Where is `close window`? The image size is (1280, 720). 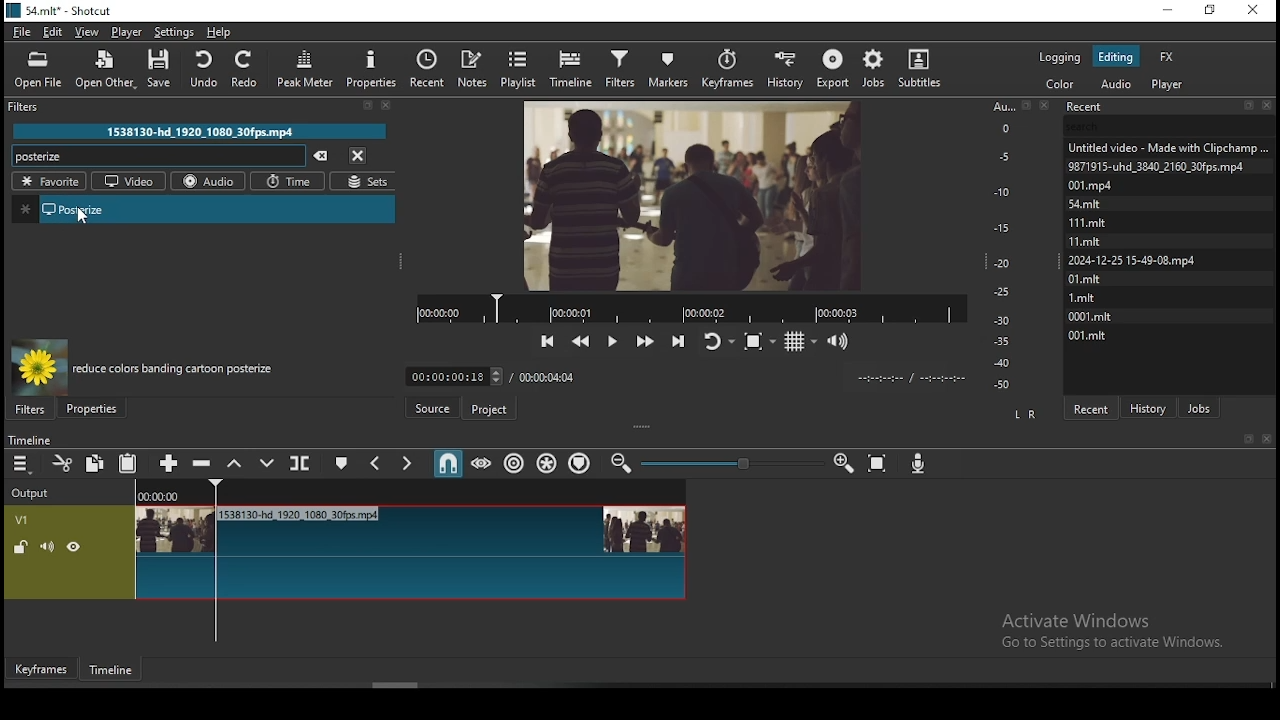
close window is located at coordinates (1257, 11).